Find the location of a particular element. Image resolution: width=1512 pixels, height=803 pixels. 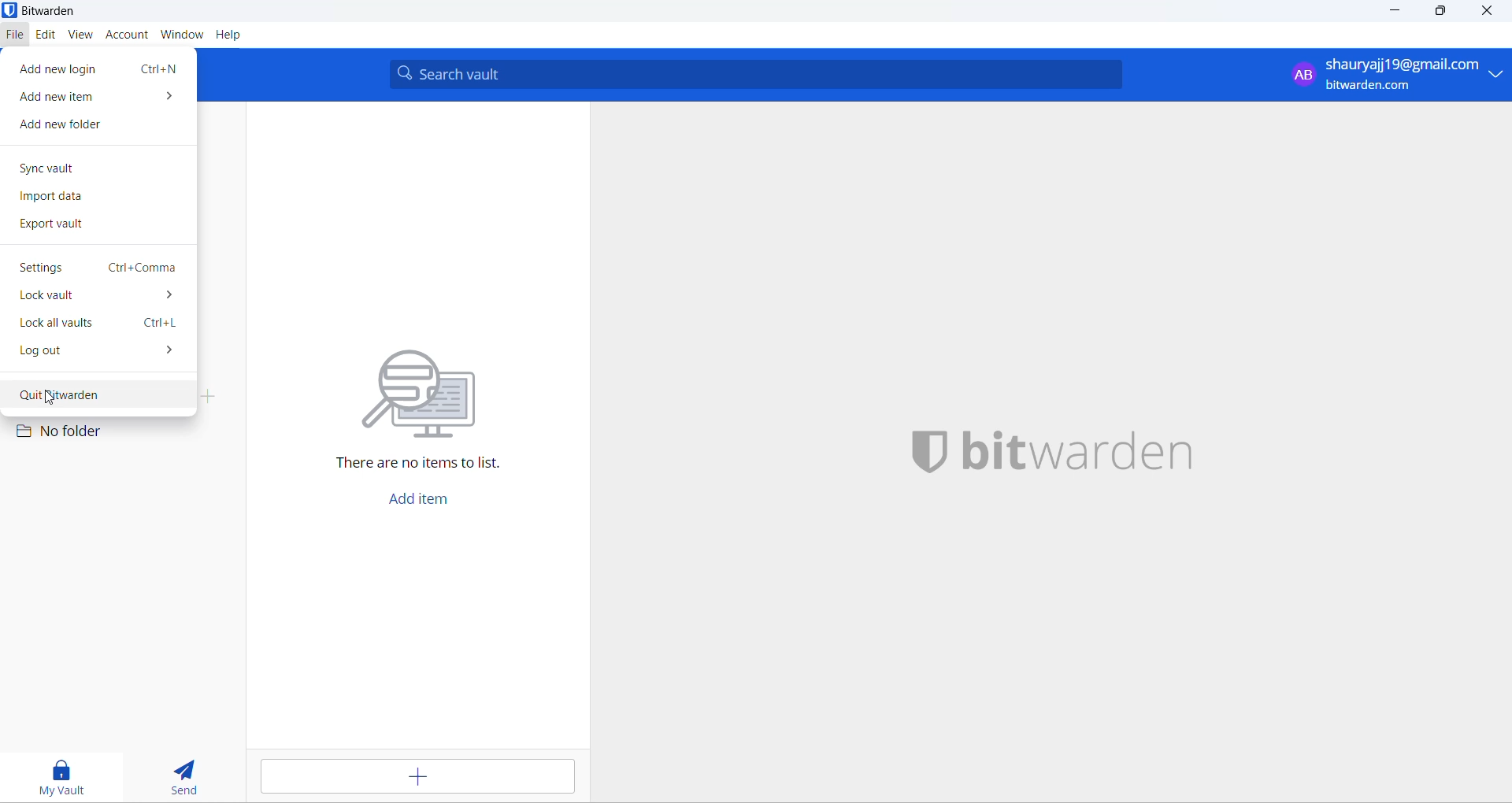

graphical illustration about looking for files is located at coordinates (428, 395).